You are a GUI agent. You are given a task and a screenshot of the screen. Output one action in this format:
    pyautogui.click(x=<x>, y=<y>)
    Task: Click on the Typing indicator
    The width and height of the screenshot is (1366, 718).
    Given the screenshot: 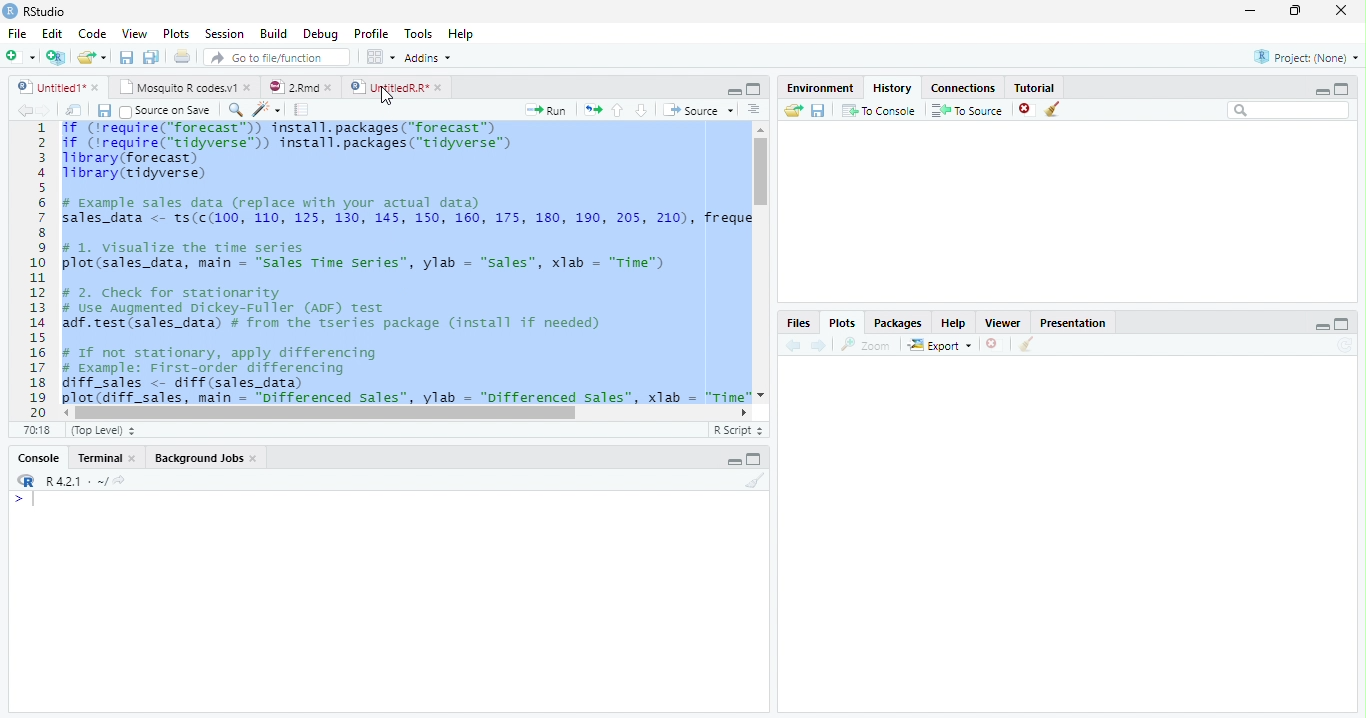 What is the action you would take?
    pyautogui.click(x=28, y=502)
    